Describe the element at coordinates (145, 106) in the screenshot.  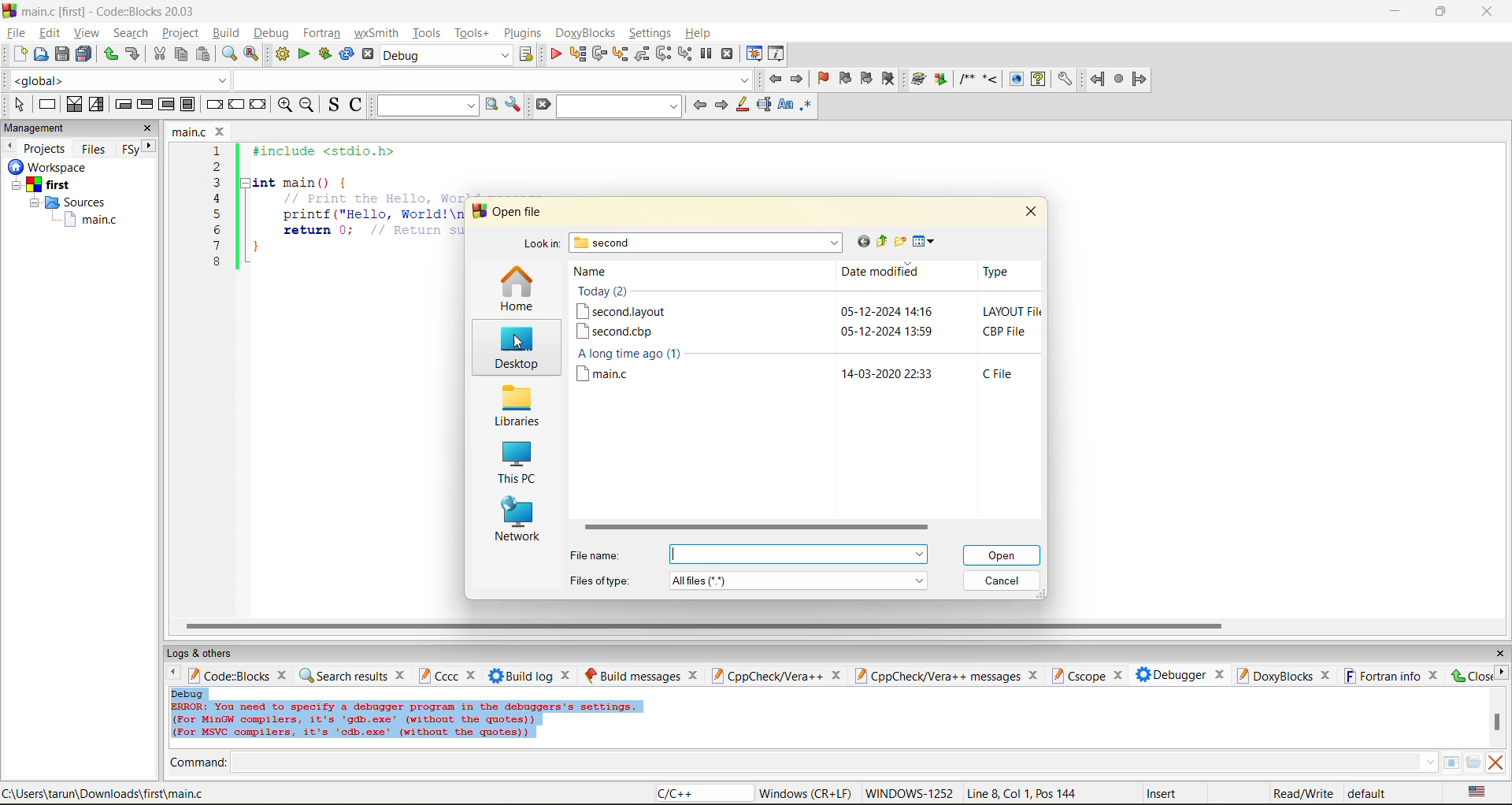
I see `exit condition loop` at that location.